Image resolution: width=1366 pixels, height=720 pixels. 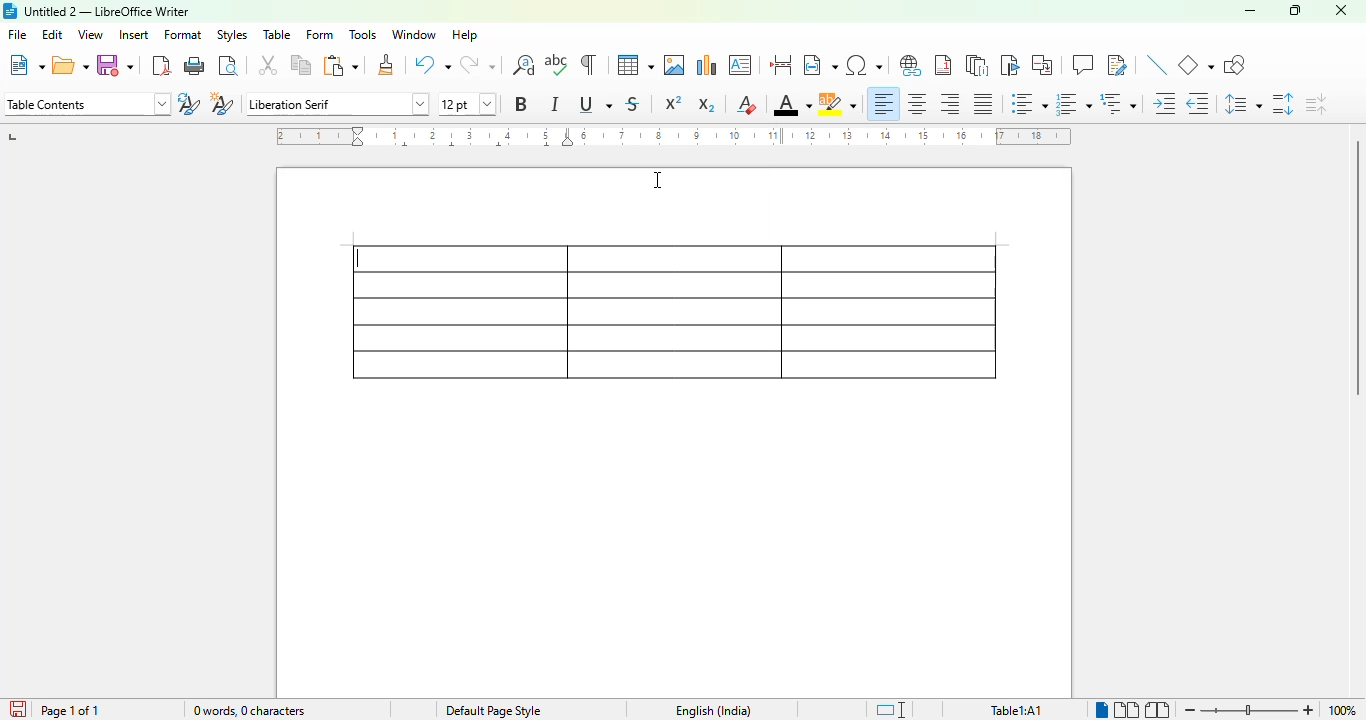 I want to click on maximize, so click(x=1297, y=10).